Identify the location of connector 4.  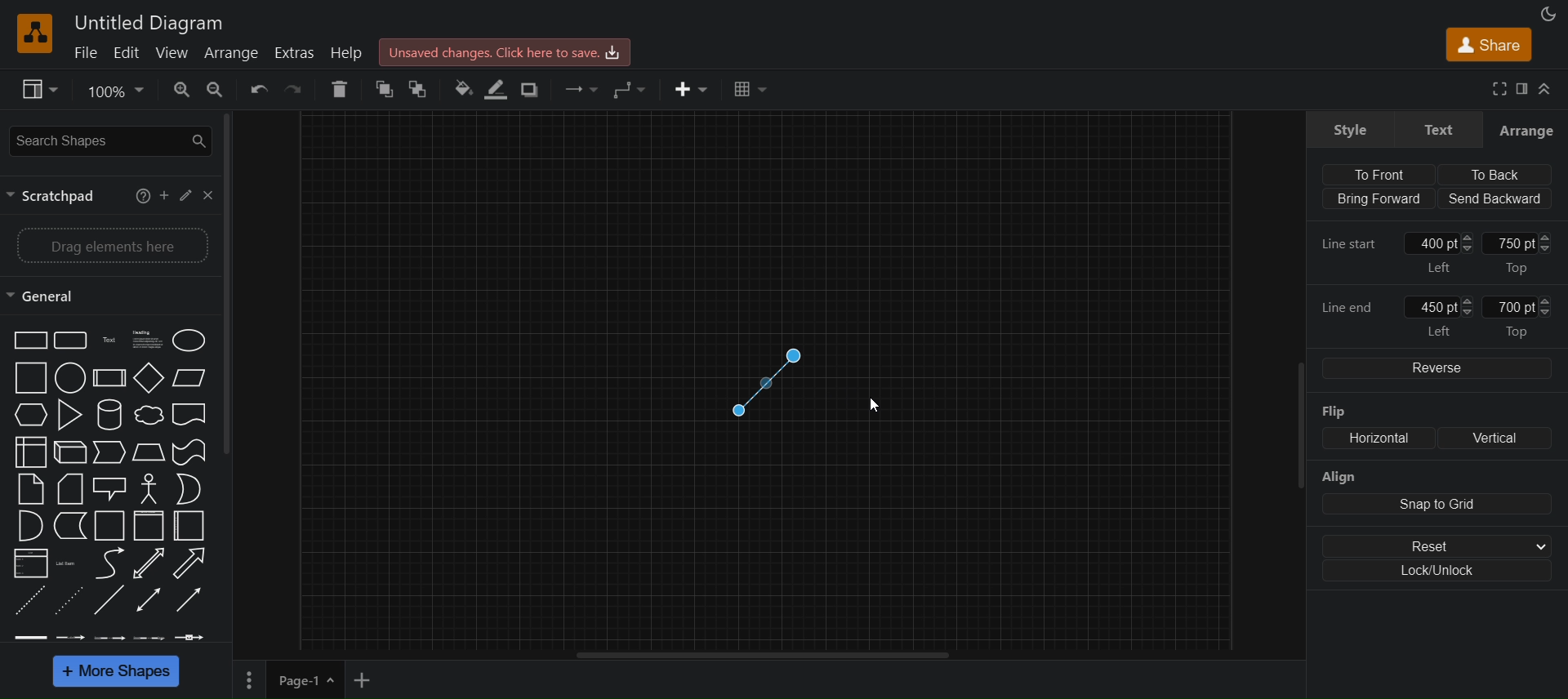
(149, 637).